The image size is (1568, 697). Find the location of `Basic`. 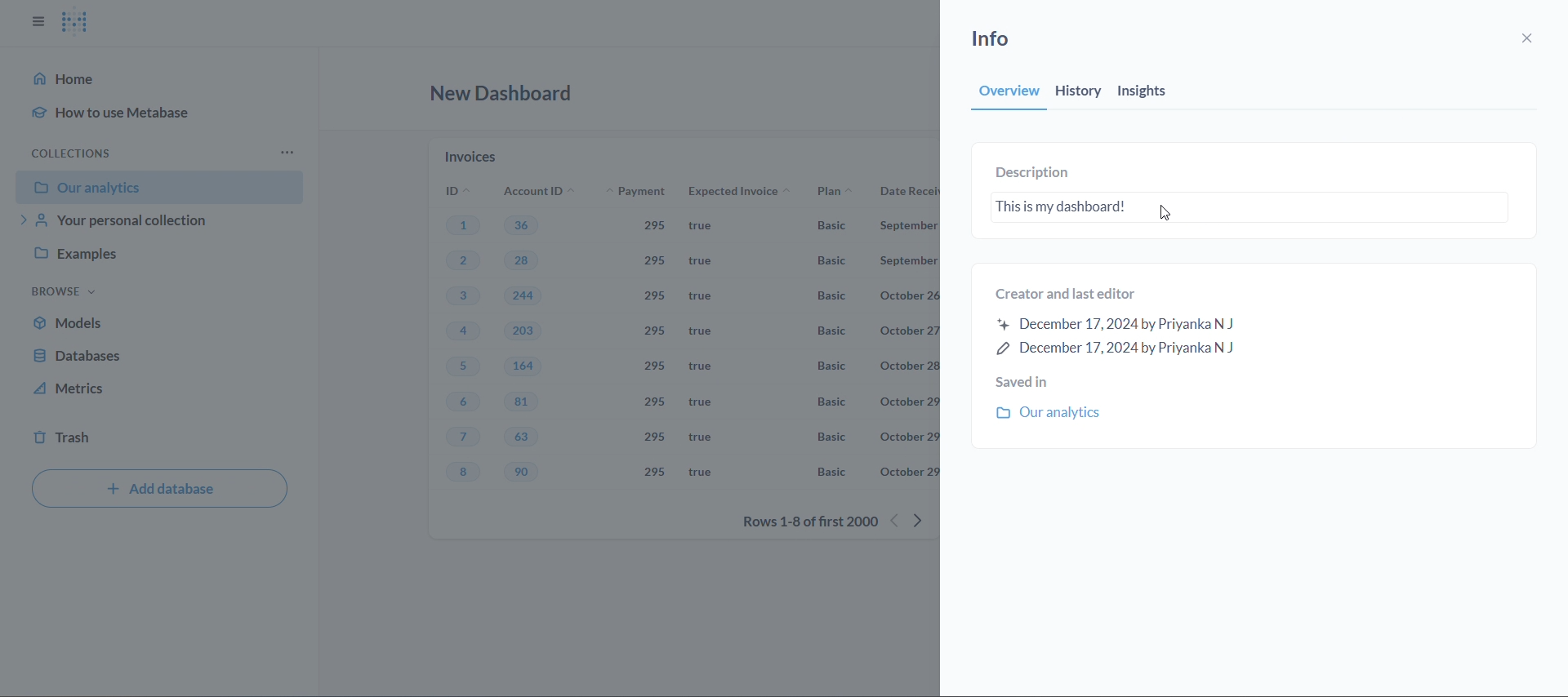

Basic is located at coordinates (827, 472).